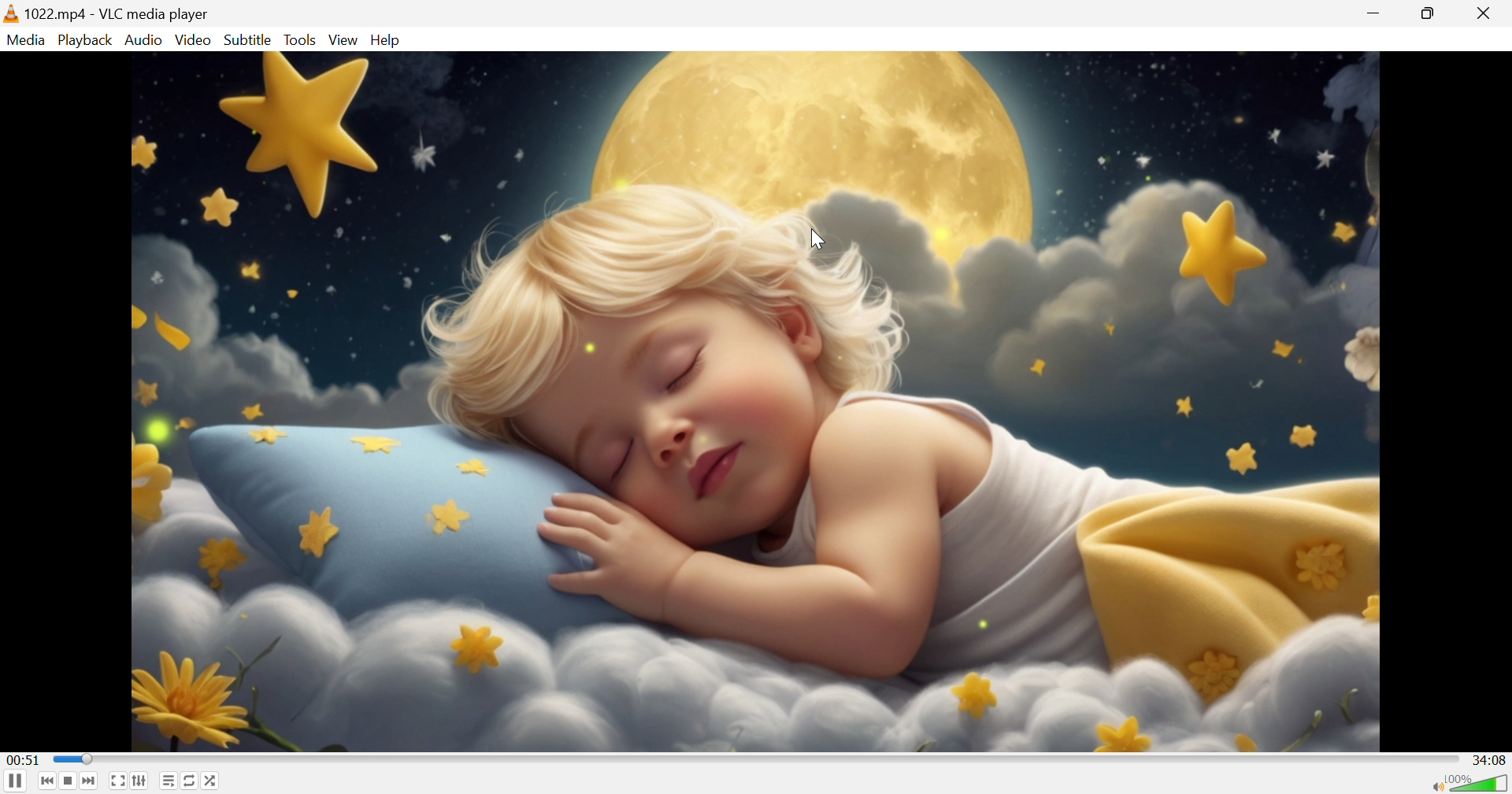 The image size is (1512, 794). Describe the element at coordinates (144, 39) in the screenshot. I see `Audio` at that location.